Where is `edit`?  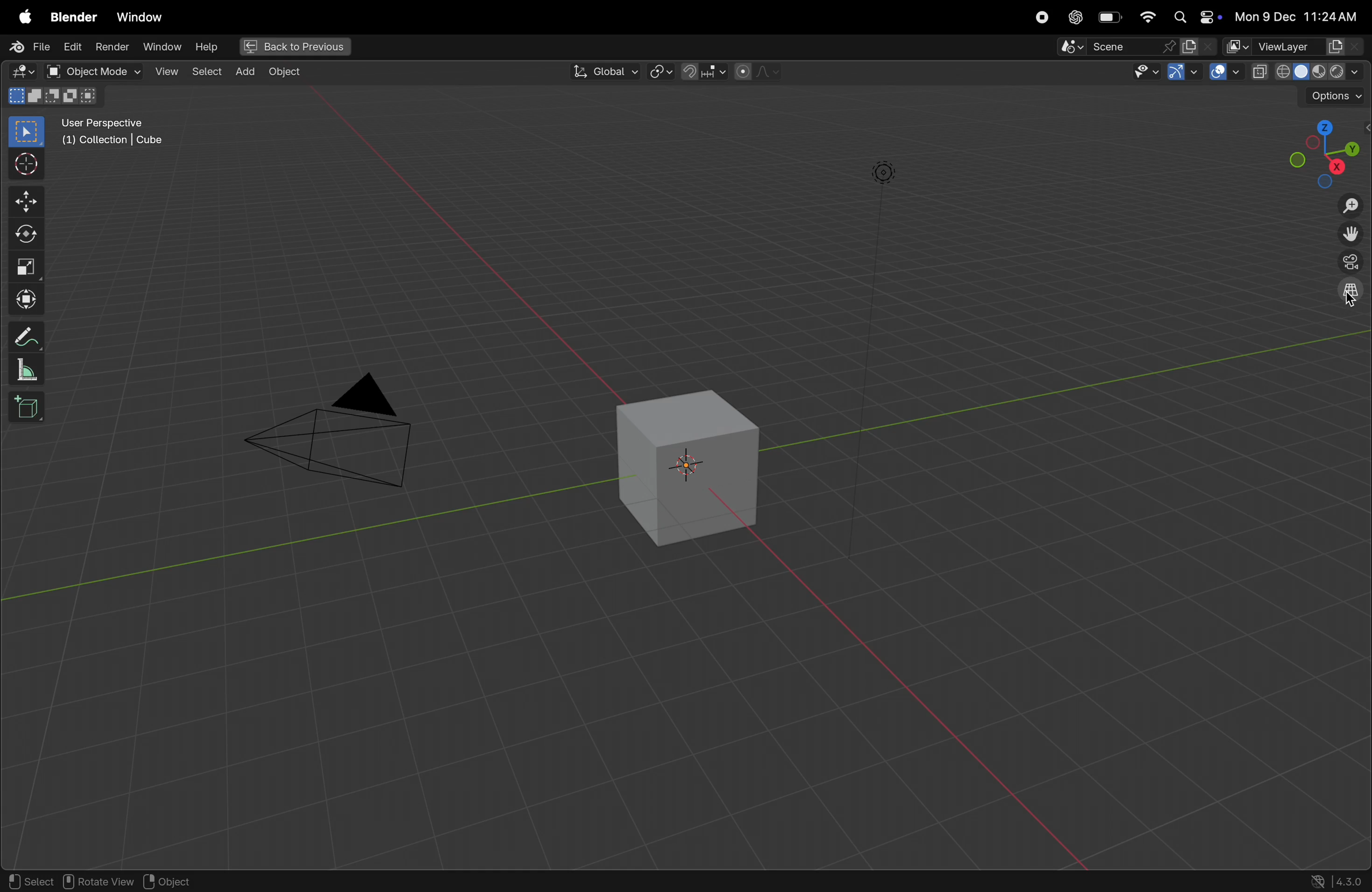
edit is located at coordinates (70, 46).